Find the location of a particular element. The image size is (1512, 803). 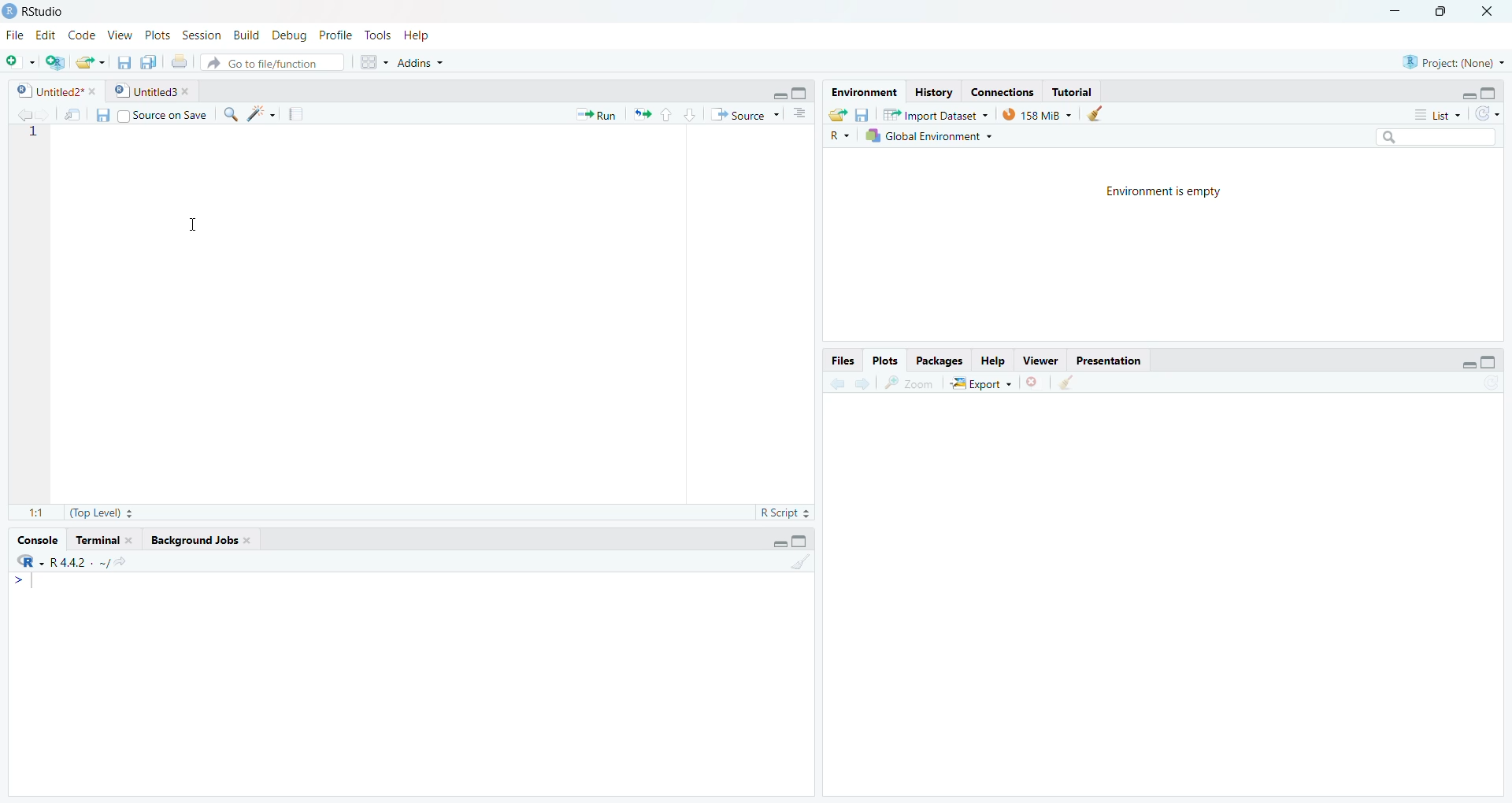

minimize is located at coordinates (1392, 12).